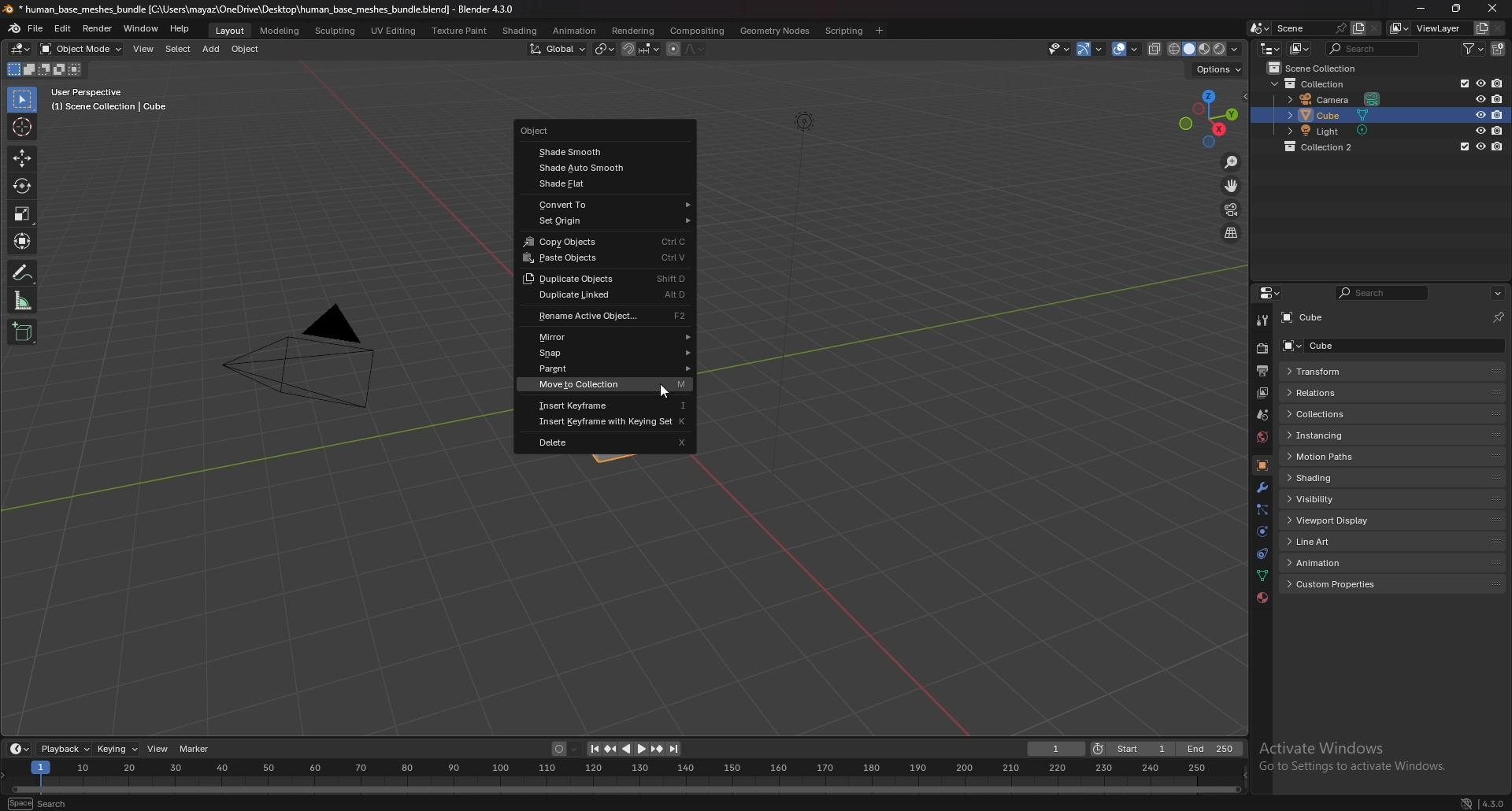 Image resolution: width=1512 pixels, height=811 pixels. What do you see at coordinates (1196, 48) in the screenshot?
I see `viewport shading` at bounding box center [1196, 48].